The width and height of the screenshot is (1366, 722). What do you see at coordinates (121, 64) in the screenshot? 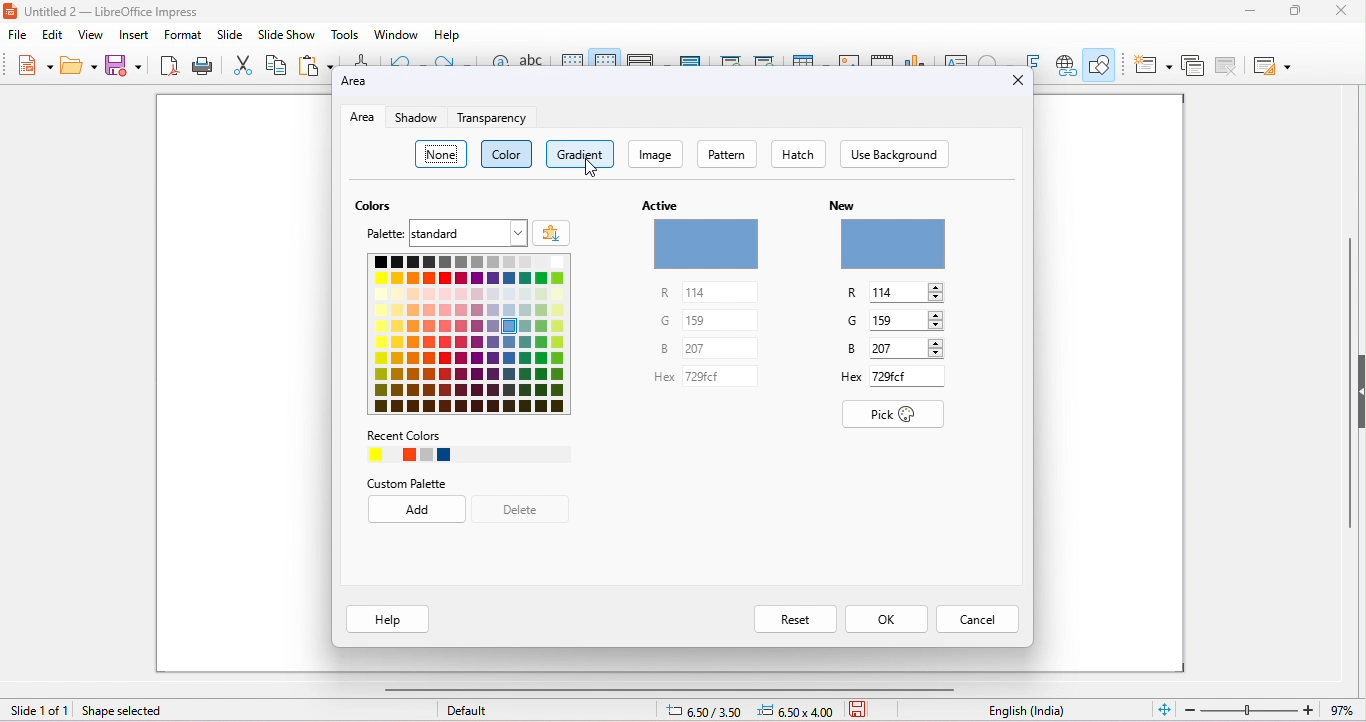
I see `save` at bounding box center [121, 64].